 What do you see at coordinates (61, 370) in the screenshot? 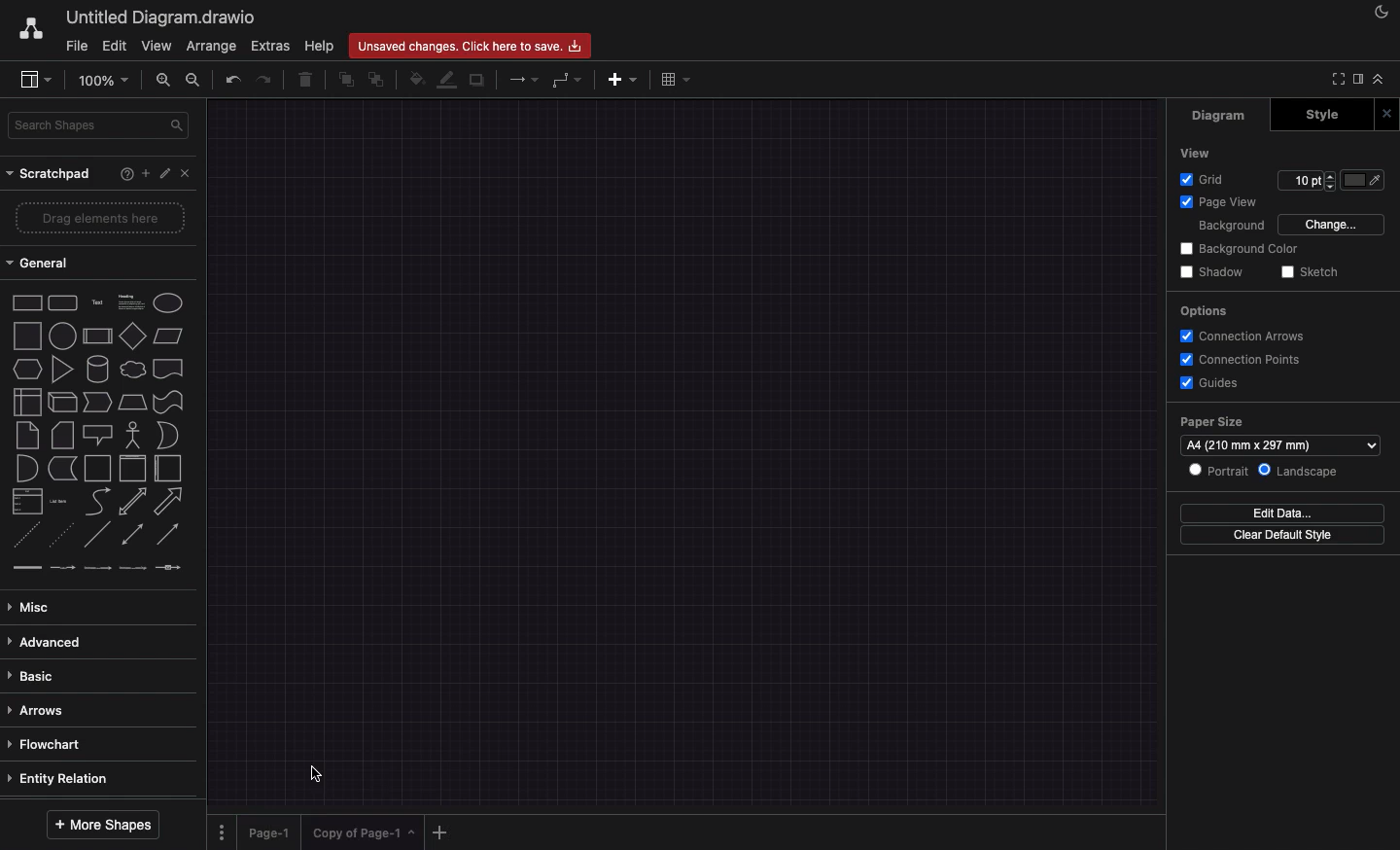
I see `triangle` at bounding box center [61, 370].